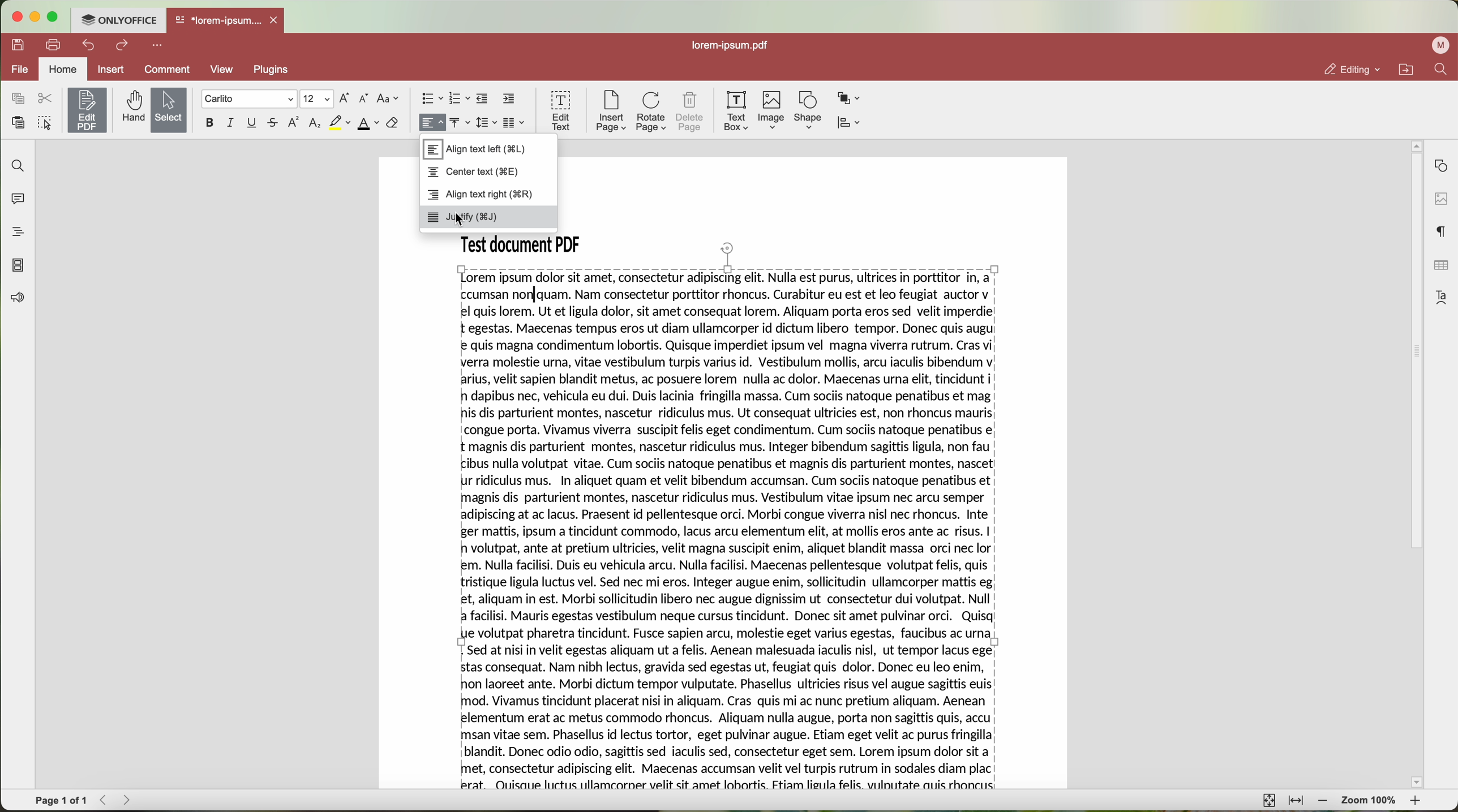 This screenshot has width=1458, height=812. Describe the element at coordinates (431, 98) in the screenshot. I see `bullet points` at that location.